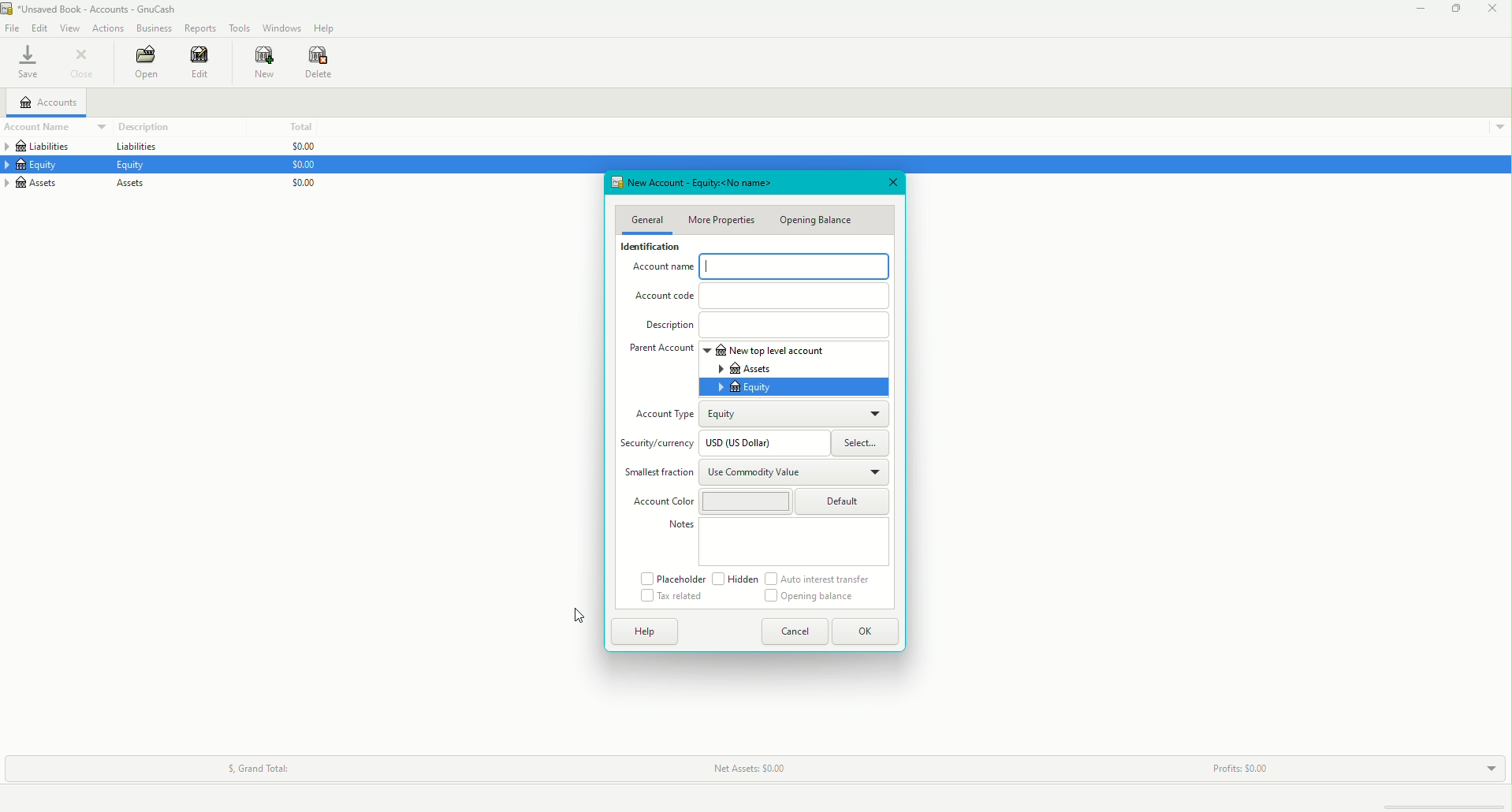 The width and height of the screenshot is (1512, 812). Describe the element at coordinates (819, 222) in the screenshot. I see `Opening Balance` at that location.